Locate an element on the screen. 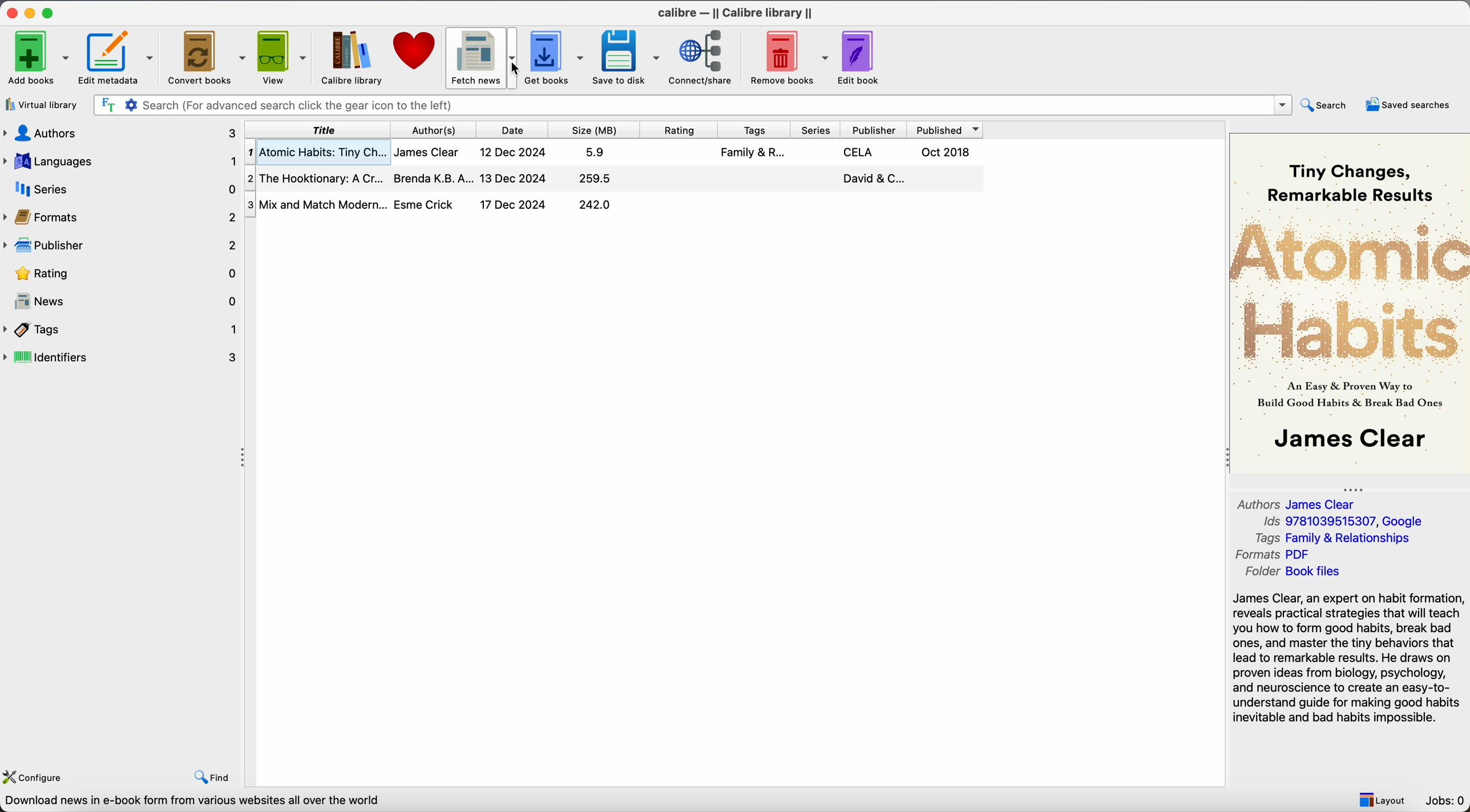 The height and width of the screenshot is (812, 1470). connect/share is located at coordinates (704, 56).